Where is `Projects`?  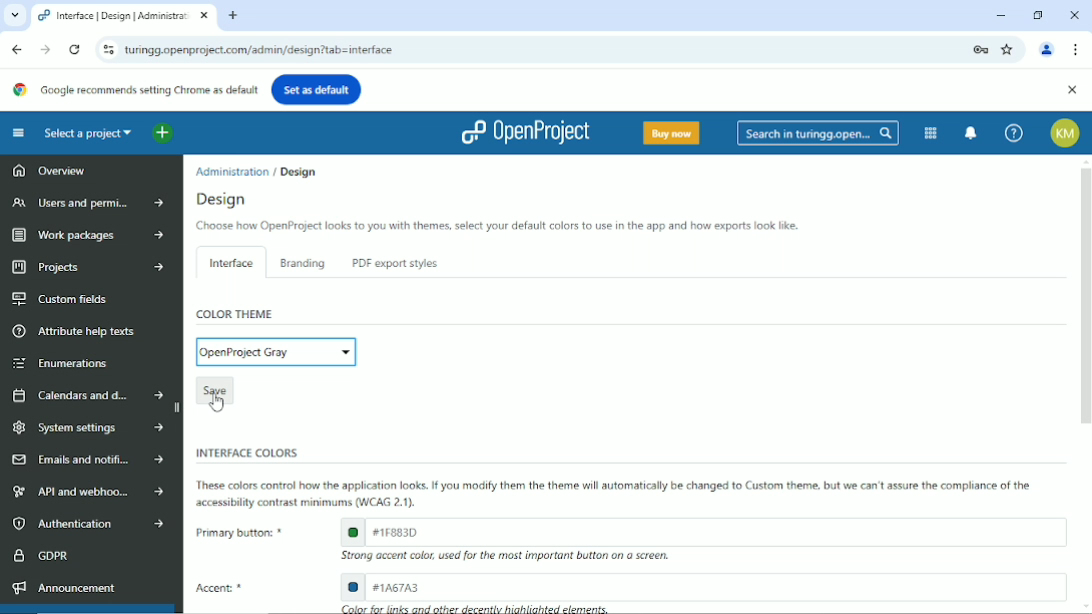
Projects is located at coordinates (84, 268).